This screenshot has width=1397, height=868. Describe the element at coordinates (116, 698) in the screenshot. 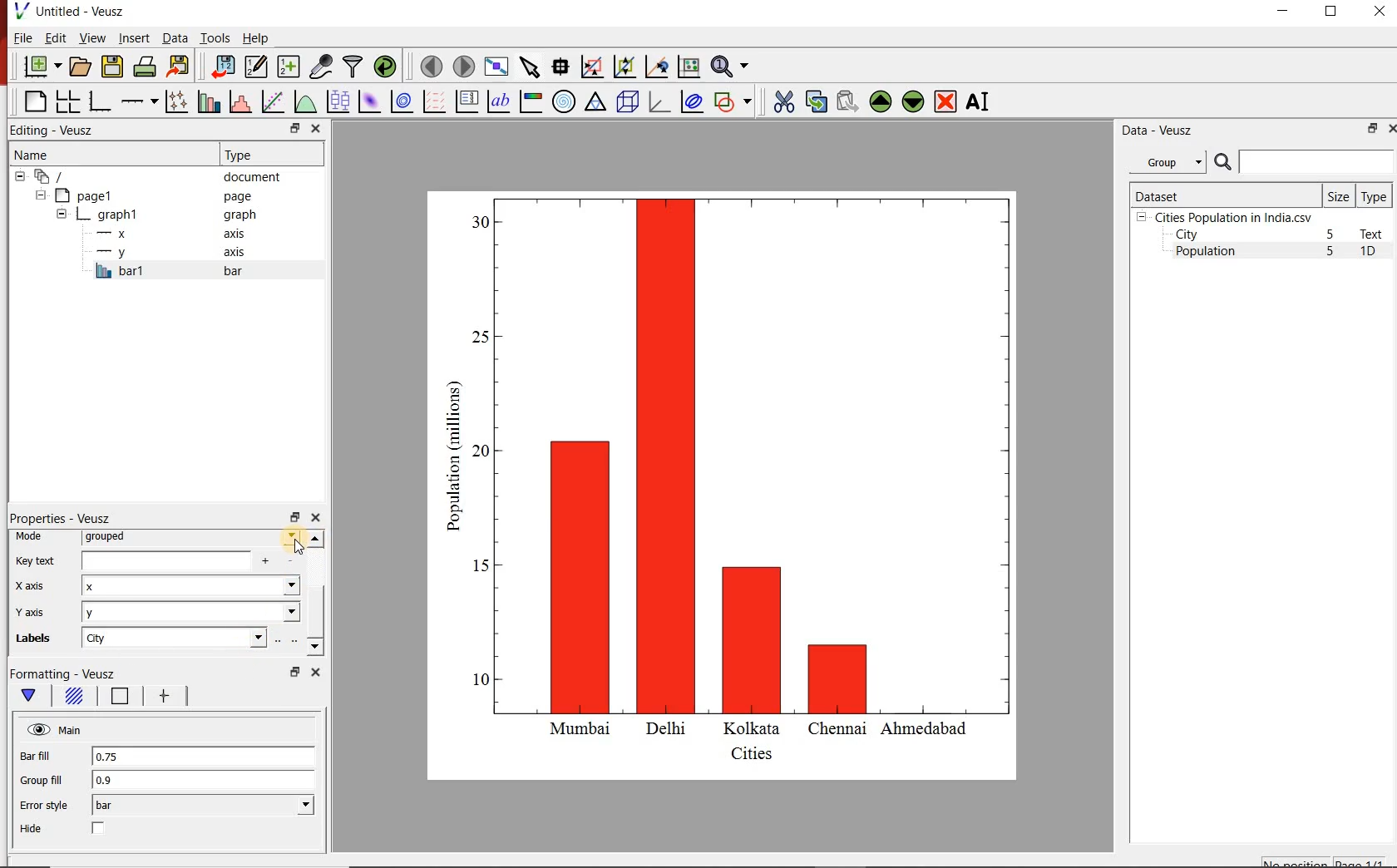

I see `Line` at that location.